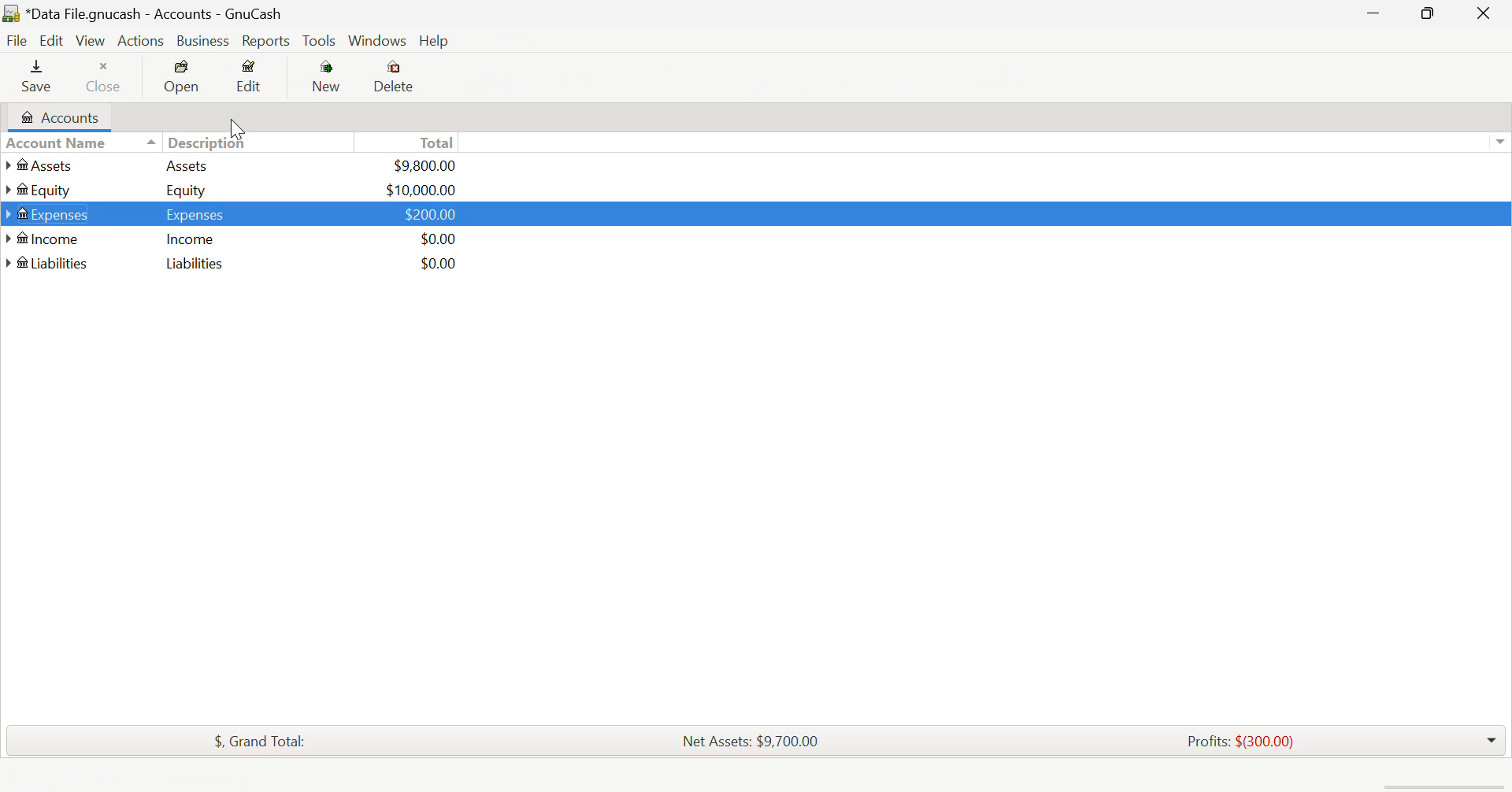  I want to click on Open, so click(183, 77).